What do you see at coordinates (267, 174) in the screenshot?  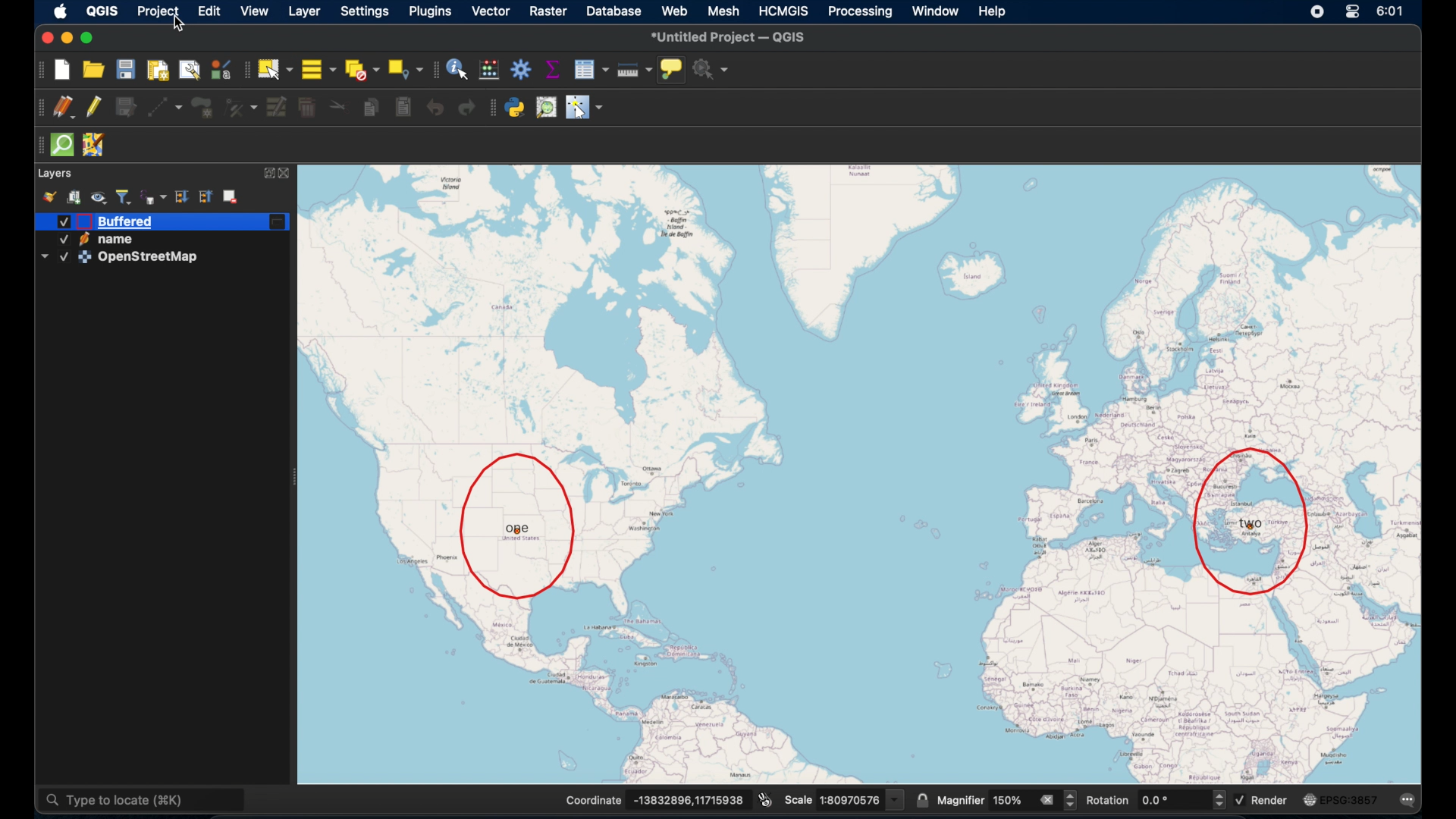 I see `expand` at bounding box center [267, 174].